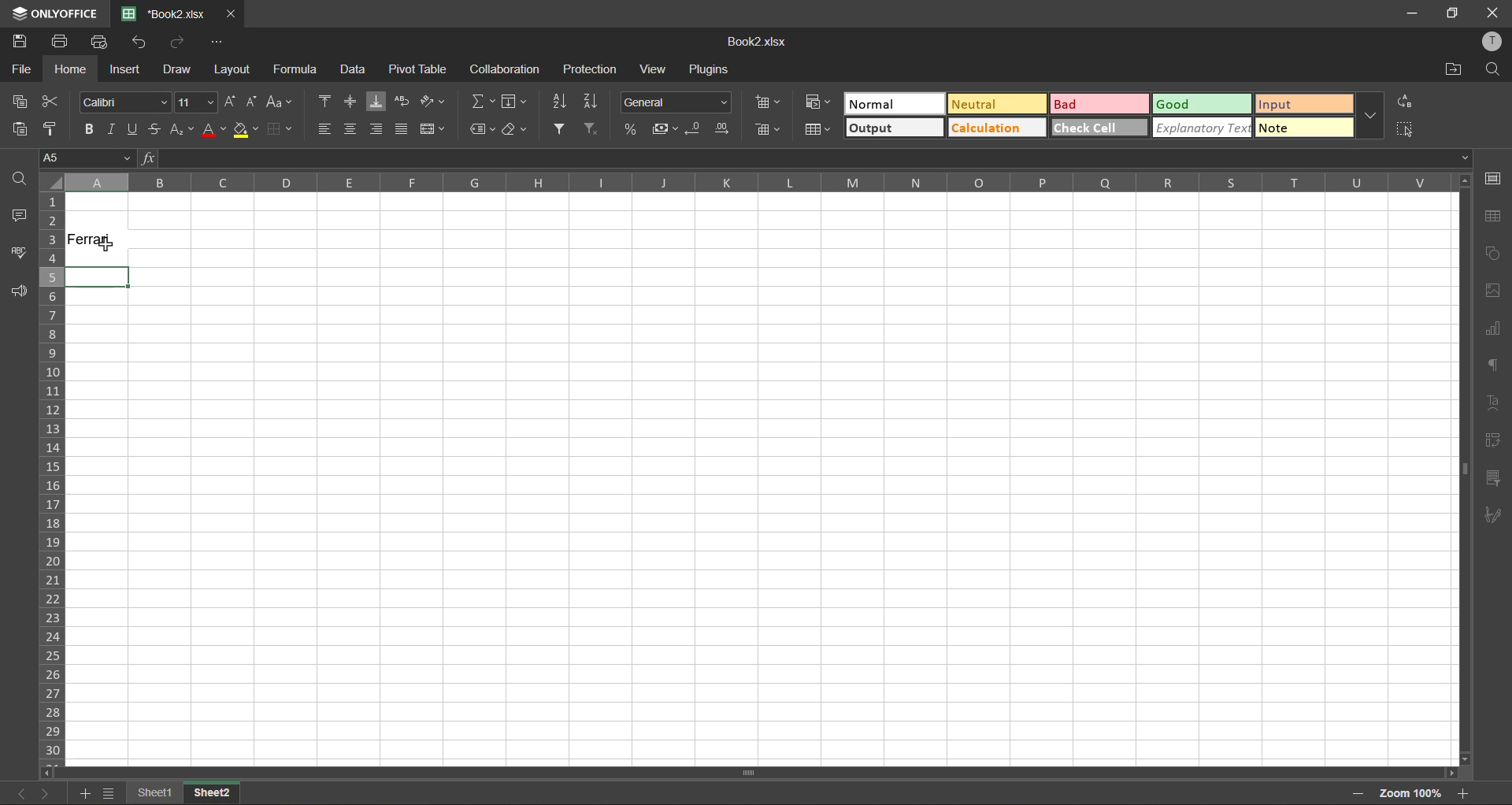 The height and width of the screenshot is (805, 1512). I want to click on insert cells, so click(766, 105).